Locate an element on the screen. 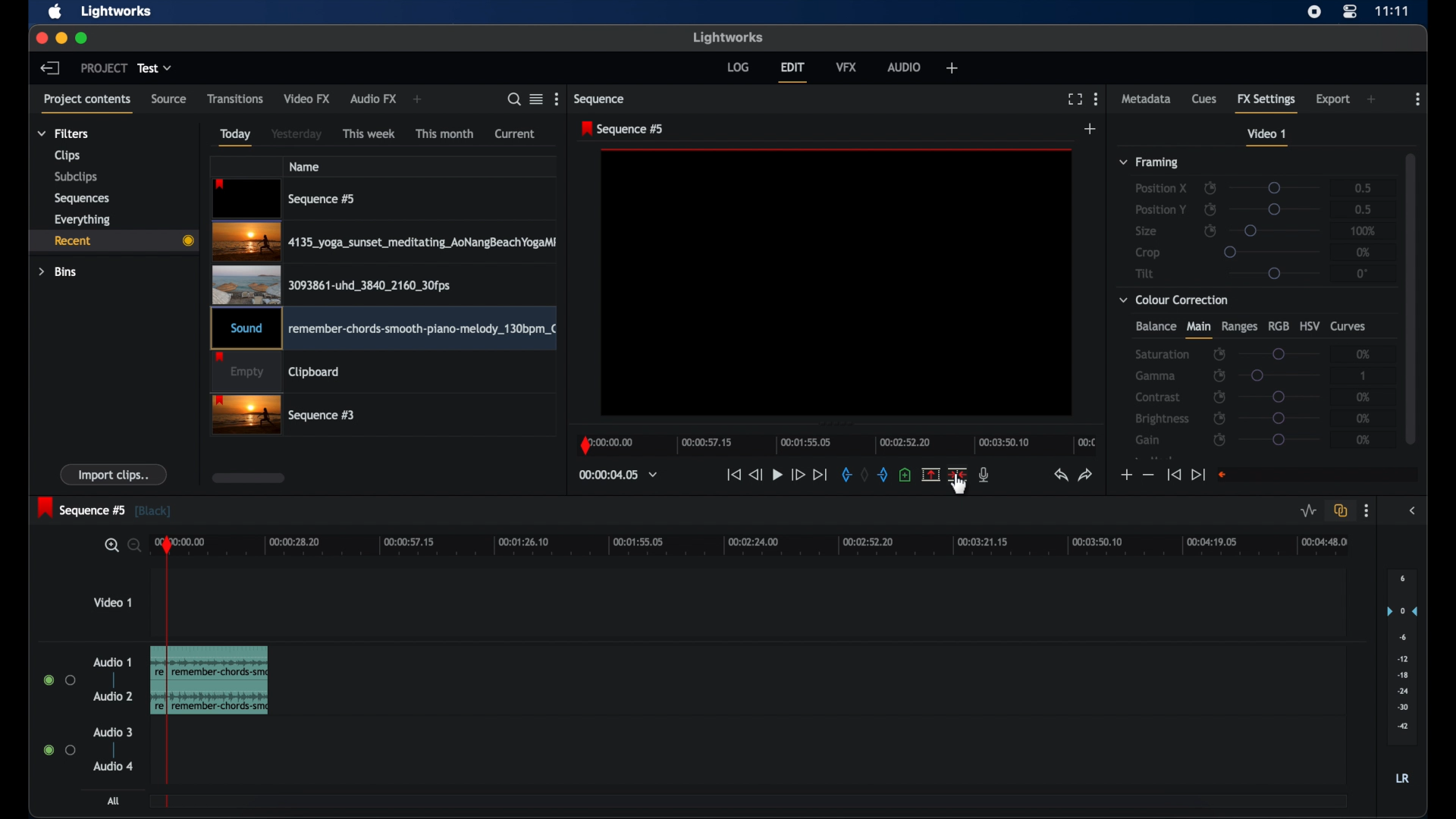 This screenshot has width=1456, height=819. position x is located at coordinates (1161, 189).